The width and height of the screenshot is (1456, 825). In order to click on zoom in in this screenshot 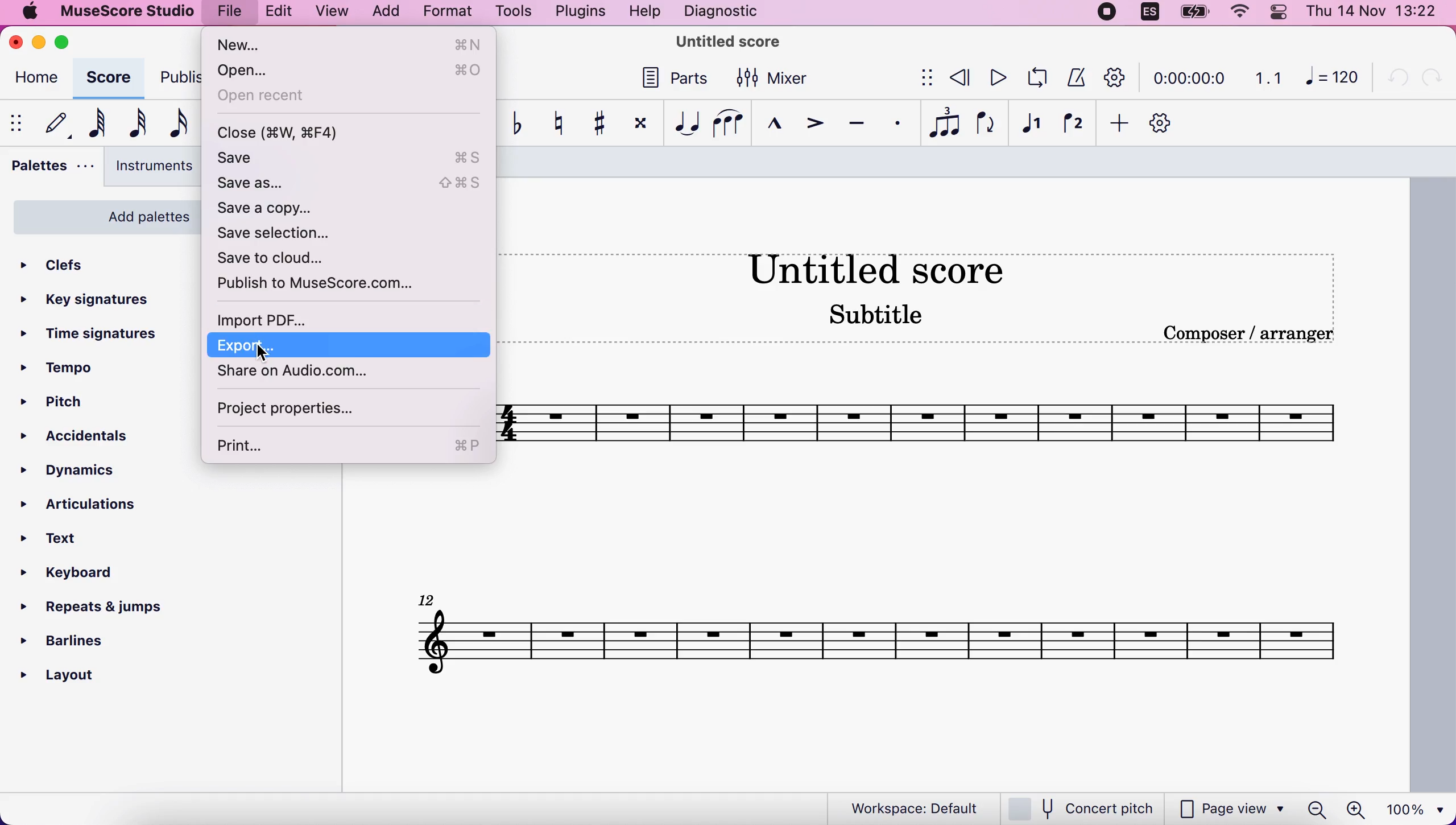, I will do `click(1359, 808)`.